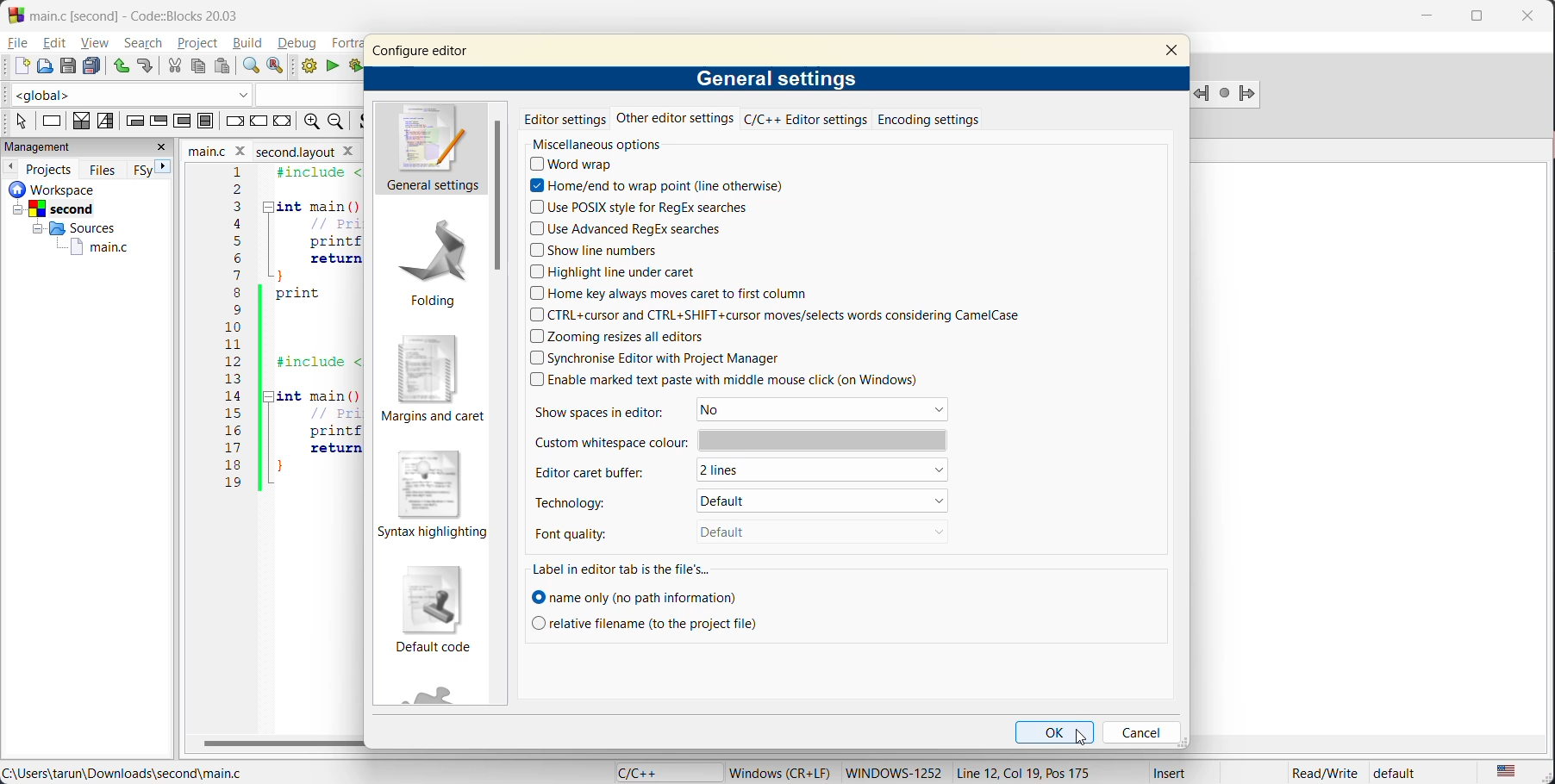 The image size is (1555, 784). What do you see at coordinates (1477, 22) in the screenshot?
I see `maximize` at bounding box center [1477, 22].